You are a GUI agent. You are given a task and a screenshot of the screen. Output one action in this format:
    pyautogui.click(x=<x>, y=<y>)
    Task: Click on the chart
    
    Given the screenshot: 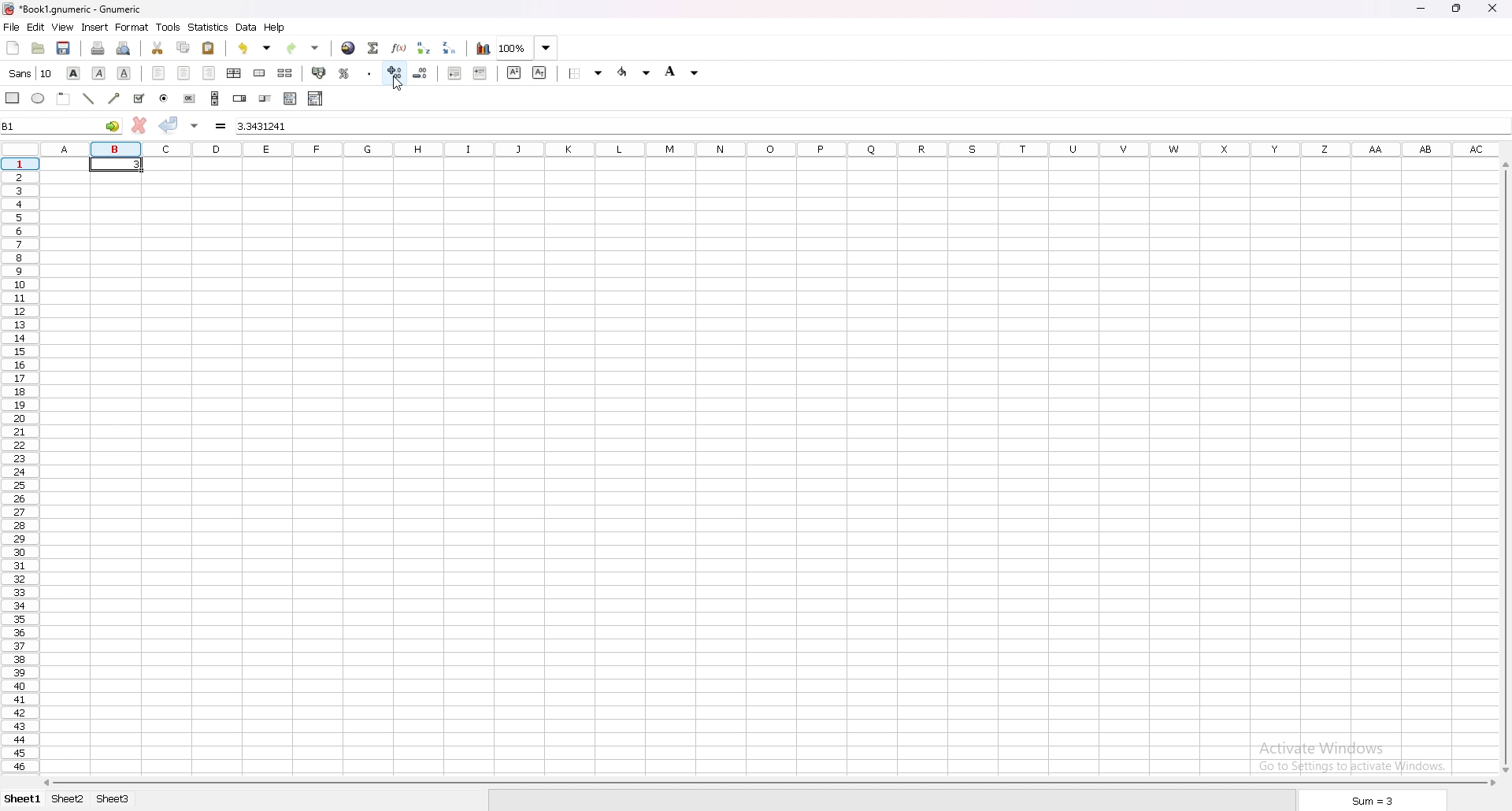 What is the action you would take?
    pyautogui.click(x=484, y=48)
    